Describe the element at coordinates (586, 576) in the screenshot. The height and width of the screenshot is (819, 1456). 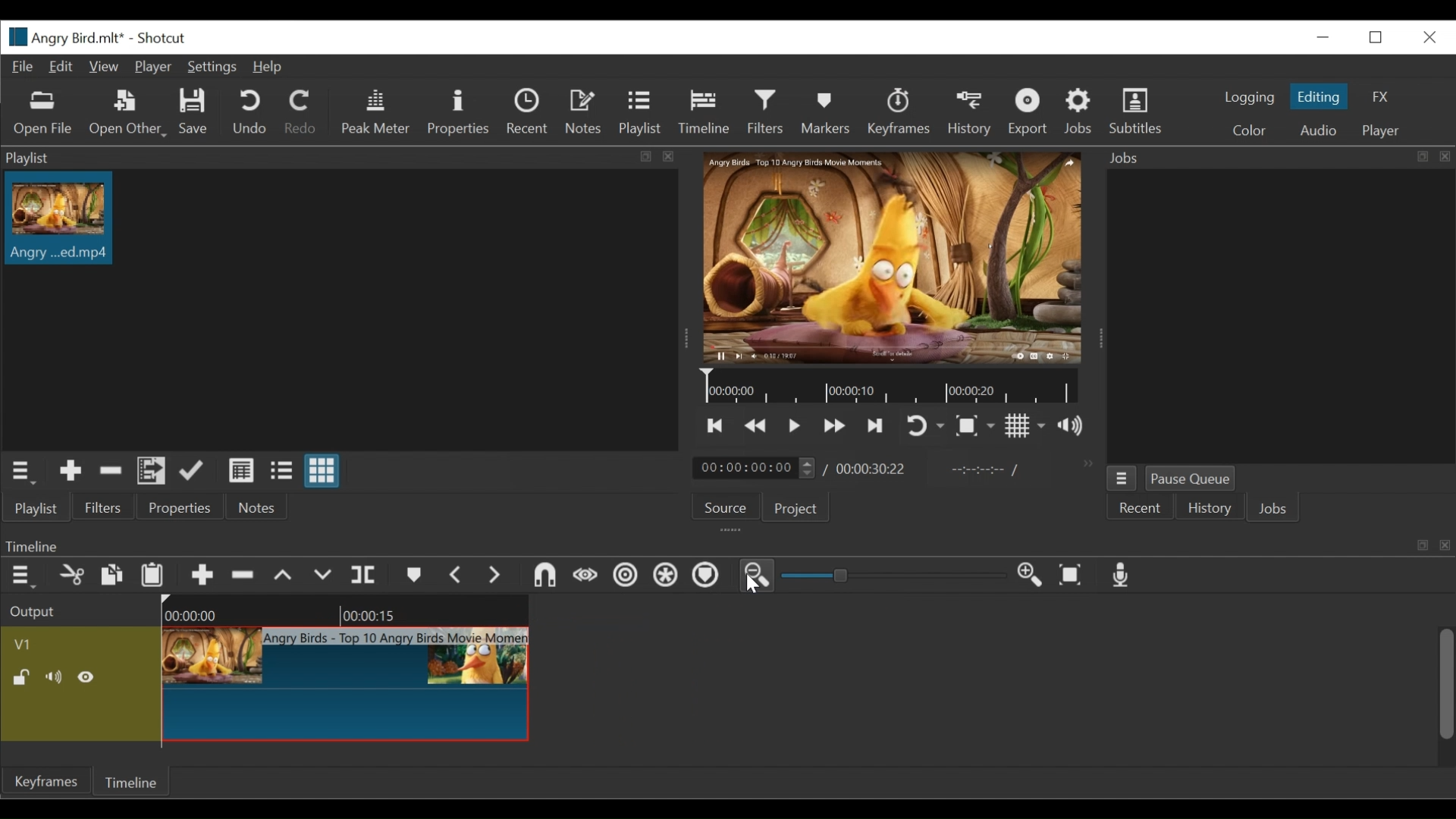
I see `Scrub while dragging` at that location.